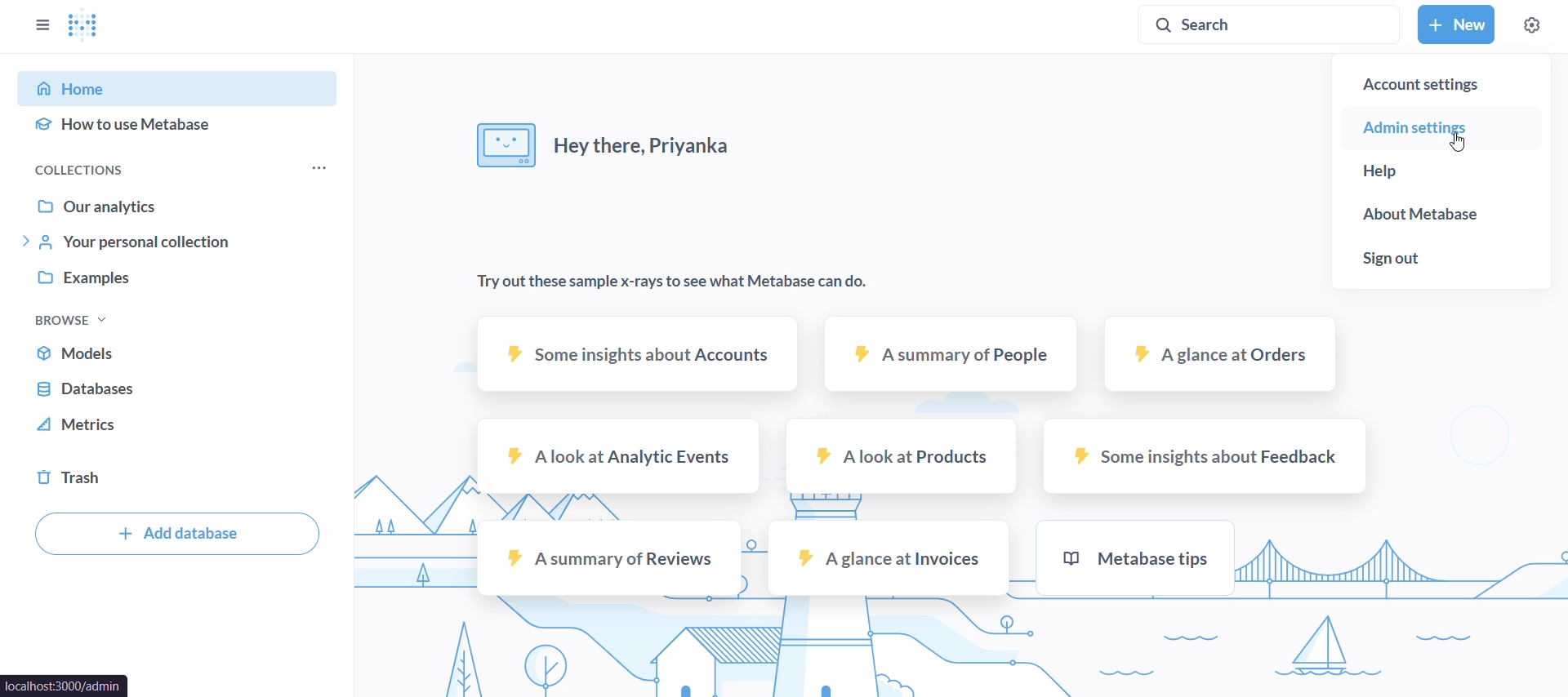 This screenshot has width=1568, height=697. Describe the element at coordinates (953, 357) in the screenshot. I see `a summary of people` at that location.